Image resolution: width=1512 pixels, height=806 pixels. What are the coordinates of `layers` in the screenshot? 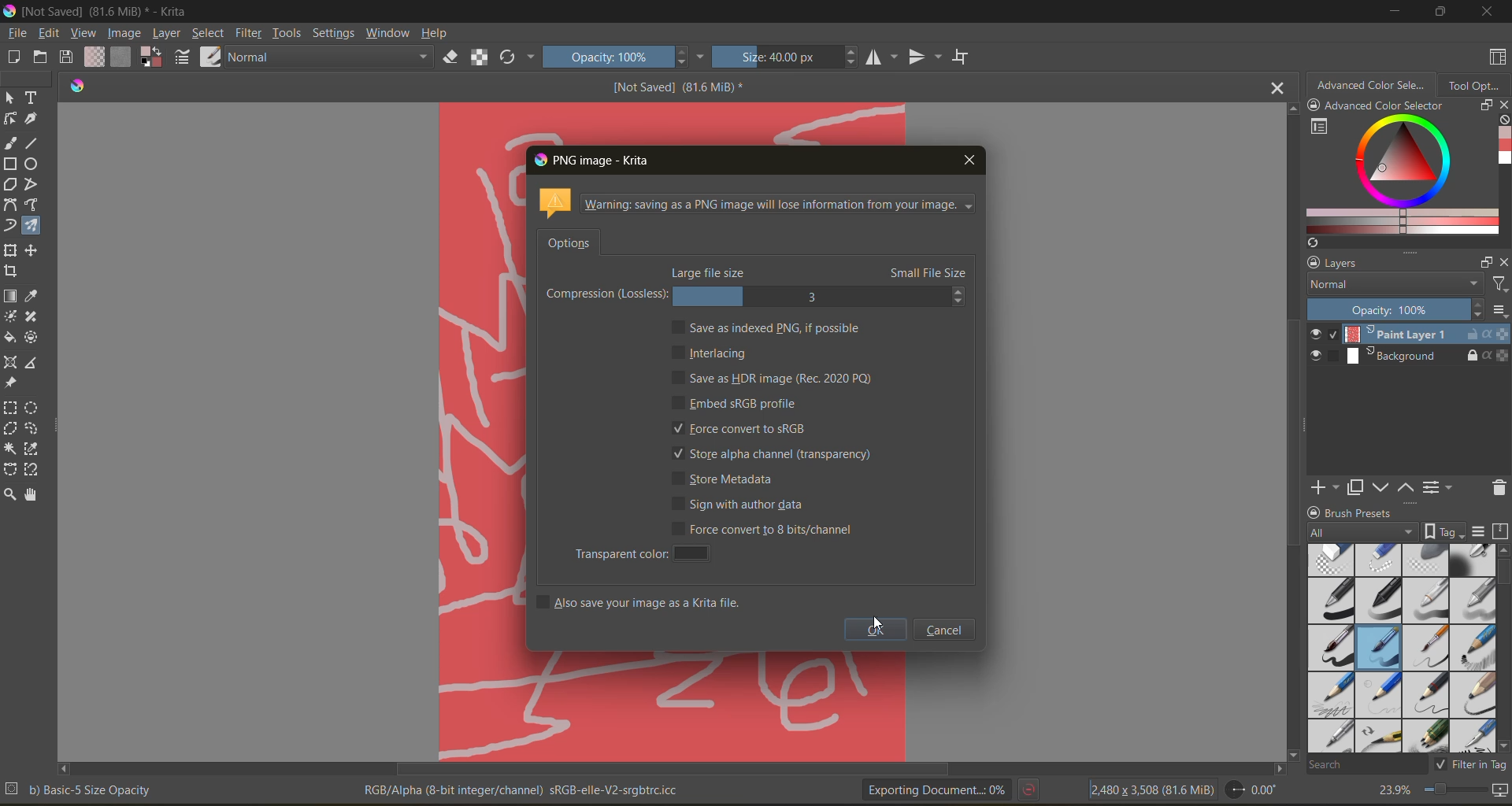 It's located at (1398, 264).